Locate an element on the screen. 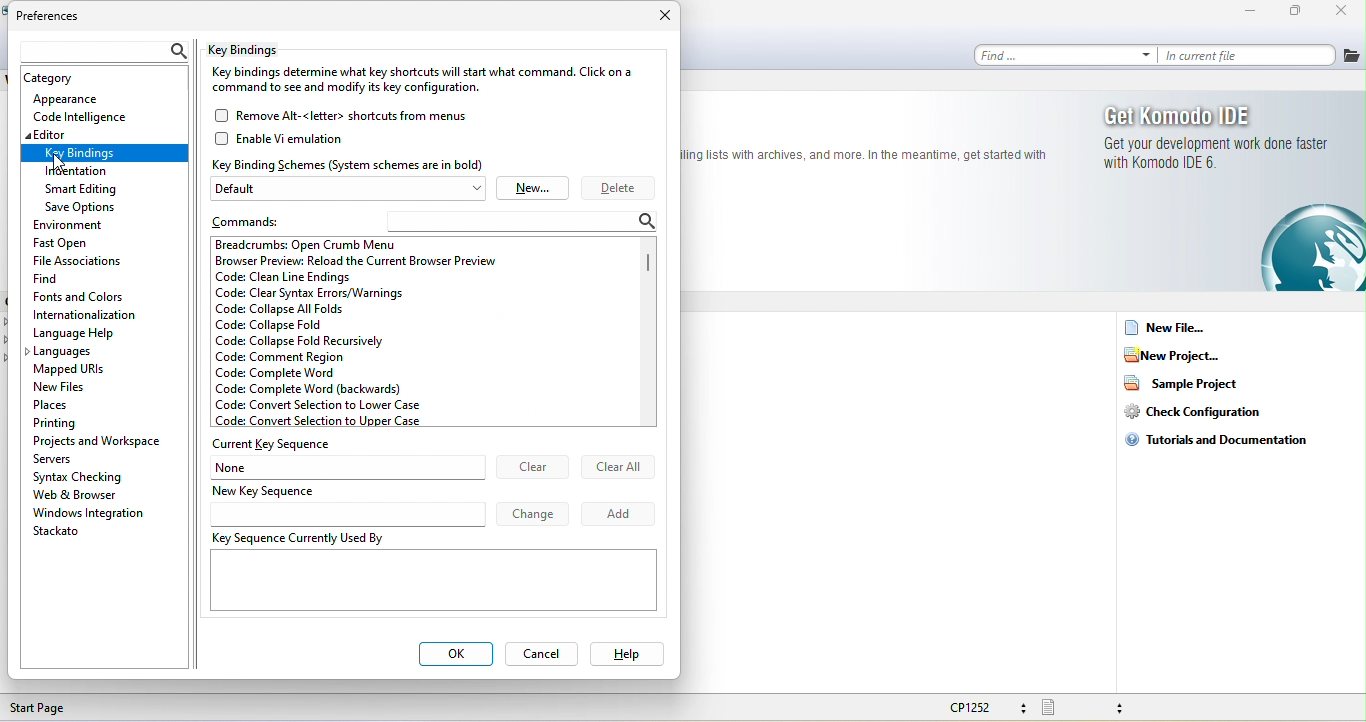 The image size is (1366, 722). help is located at coordinates (625, 653).